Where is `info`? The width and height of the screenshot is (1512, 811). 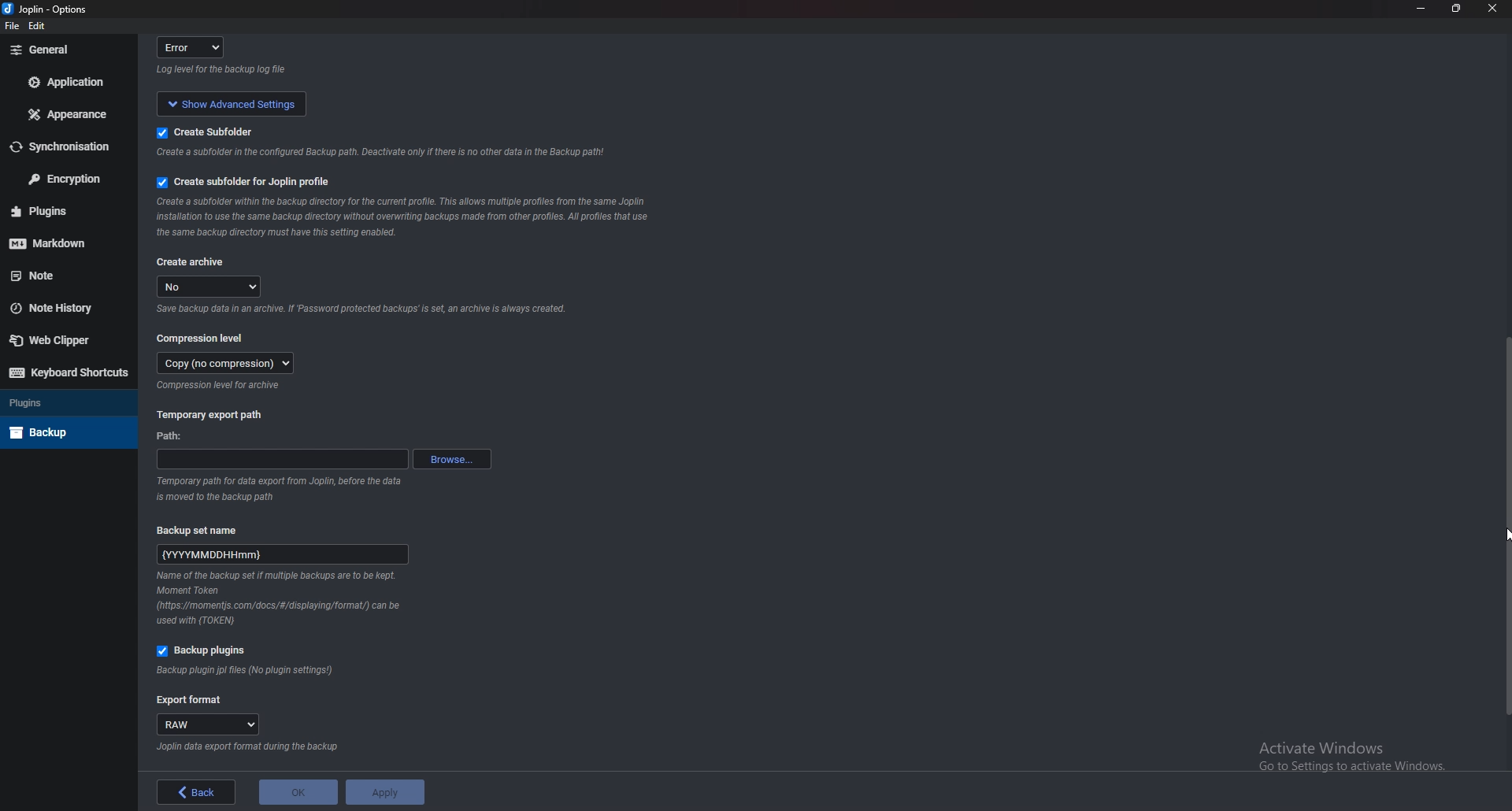
info is located at coordinates (361, 310).